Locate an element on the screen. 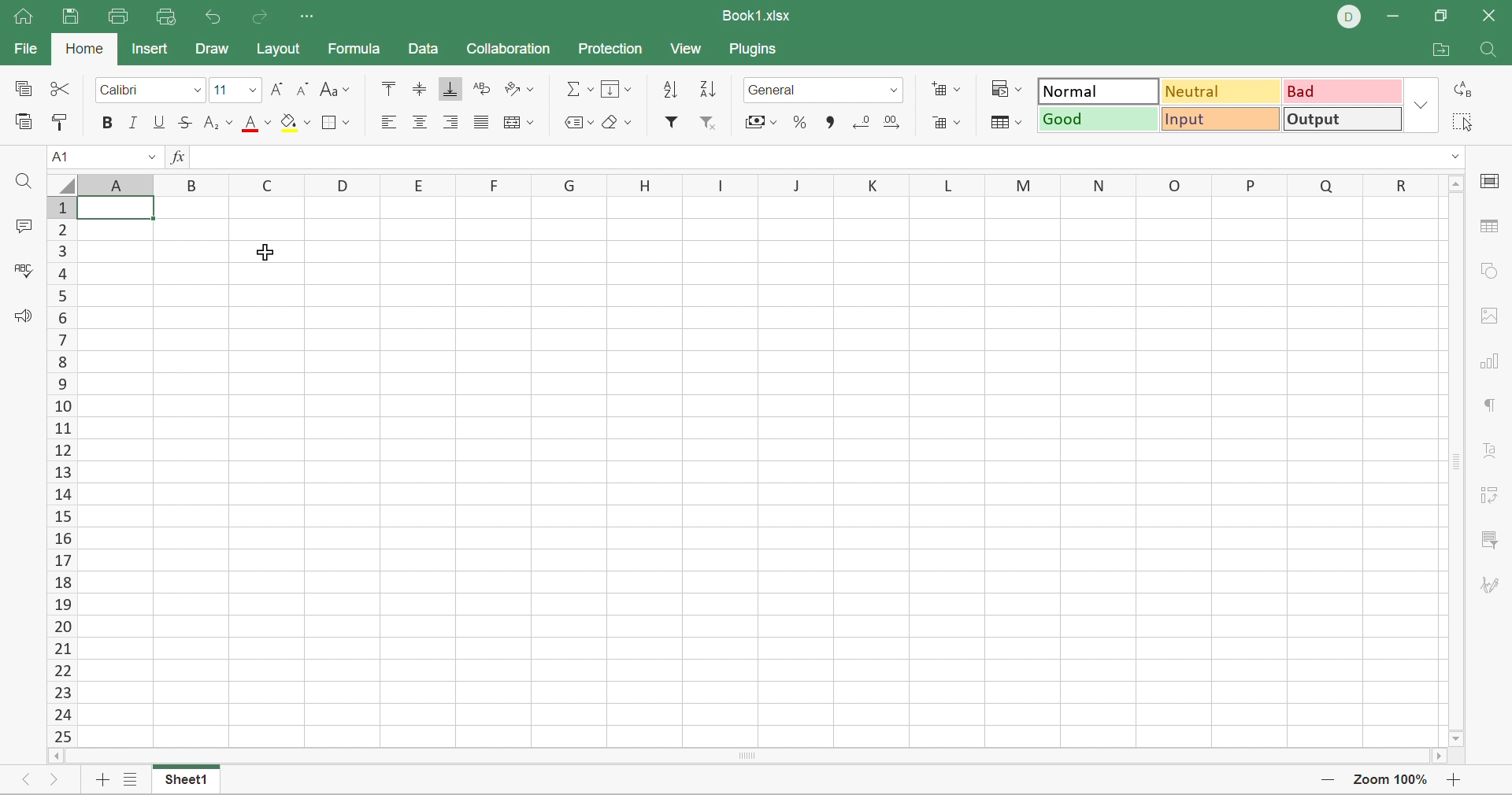  Strikethrough is located at coordinates (187, 125).